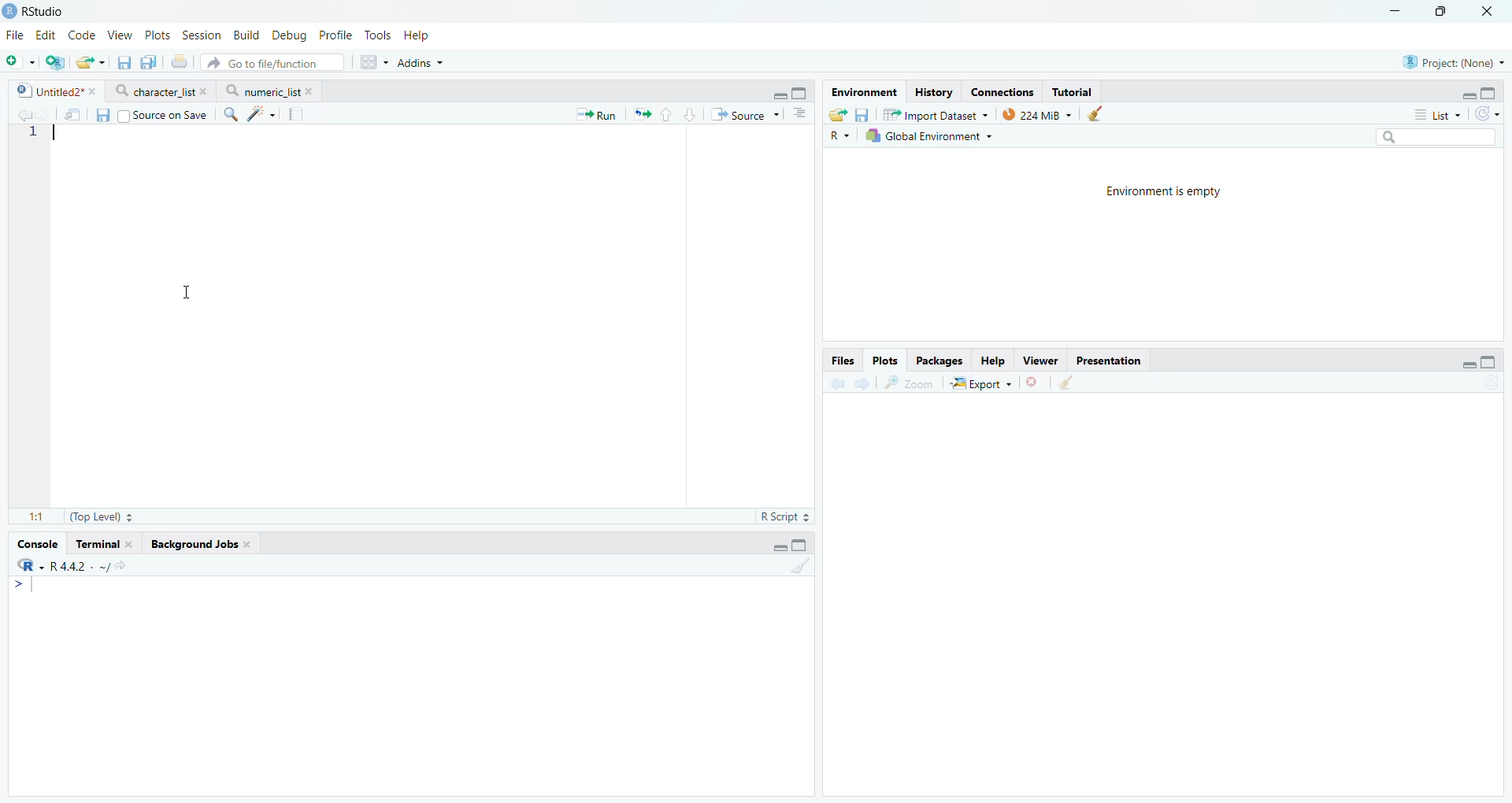  I want to click on Source, so click(743, 115).